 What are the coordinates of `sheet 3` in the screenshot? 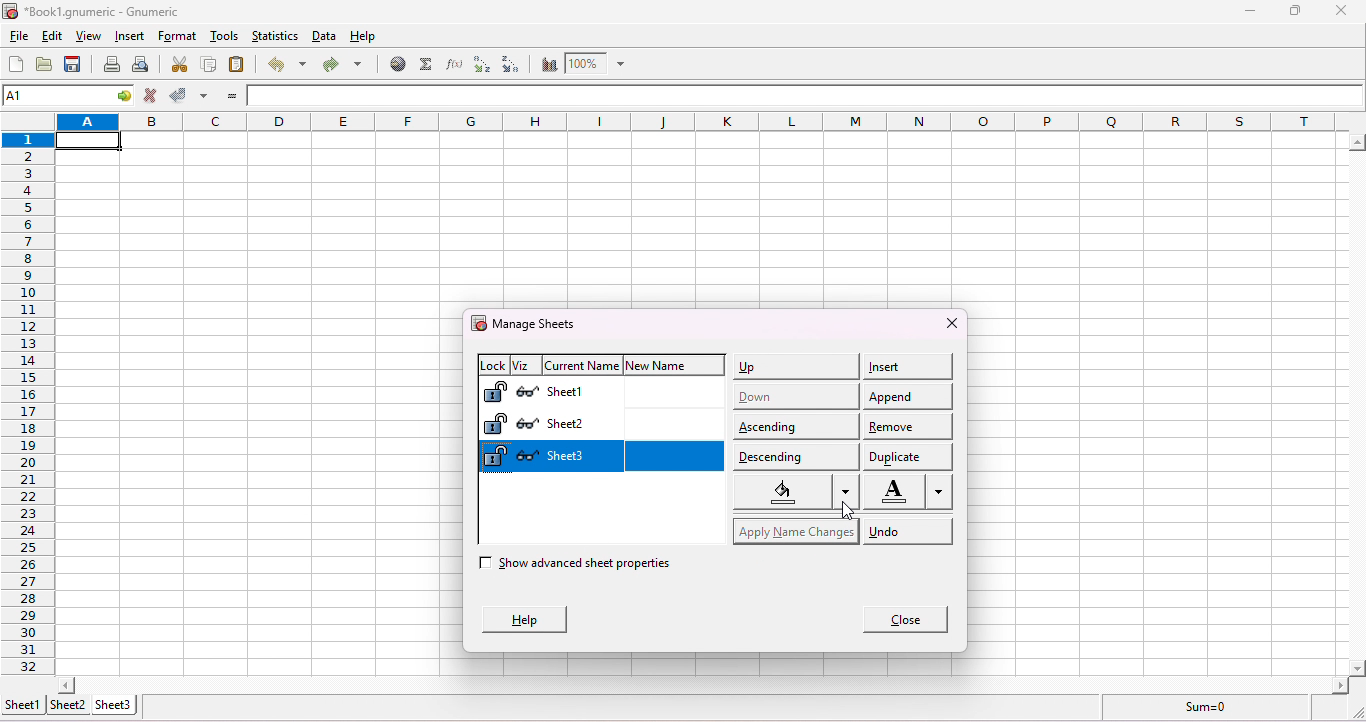 It's located at (634, 455).